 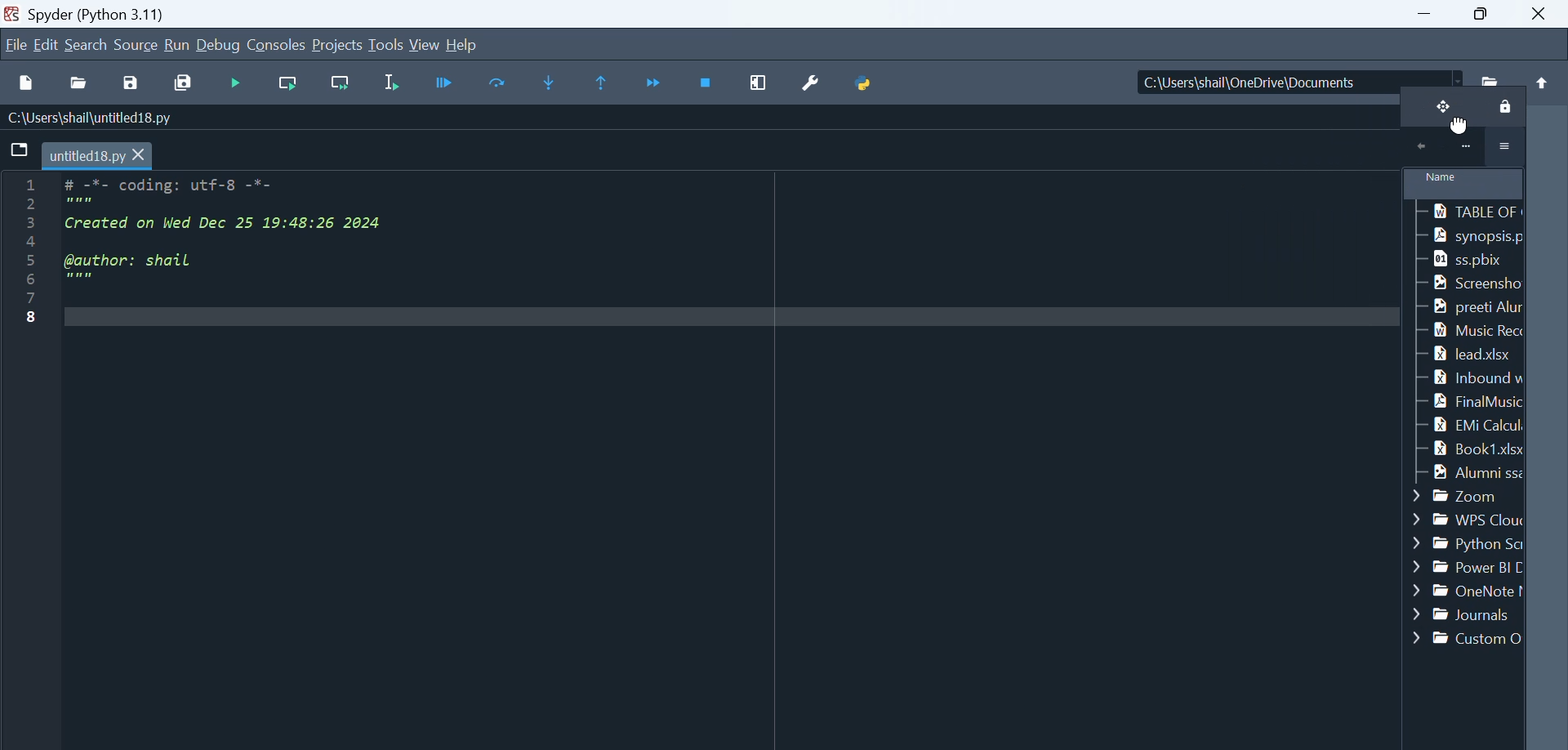 What do you see at coordinates (90, 116) in the screenshot?
I see `C:\users\shail\untitled18.py` at bounding box center [90, 116].